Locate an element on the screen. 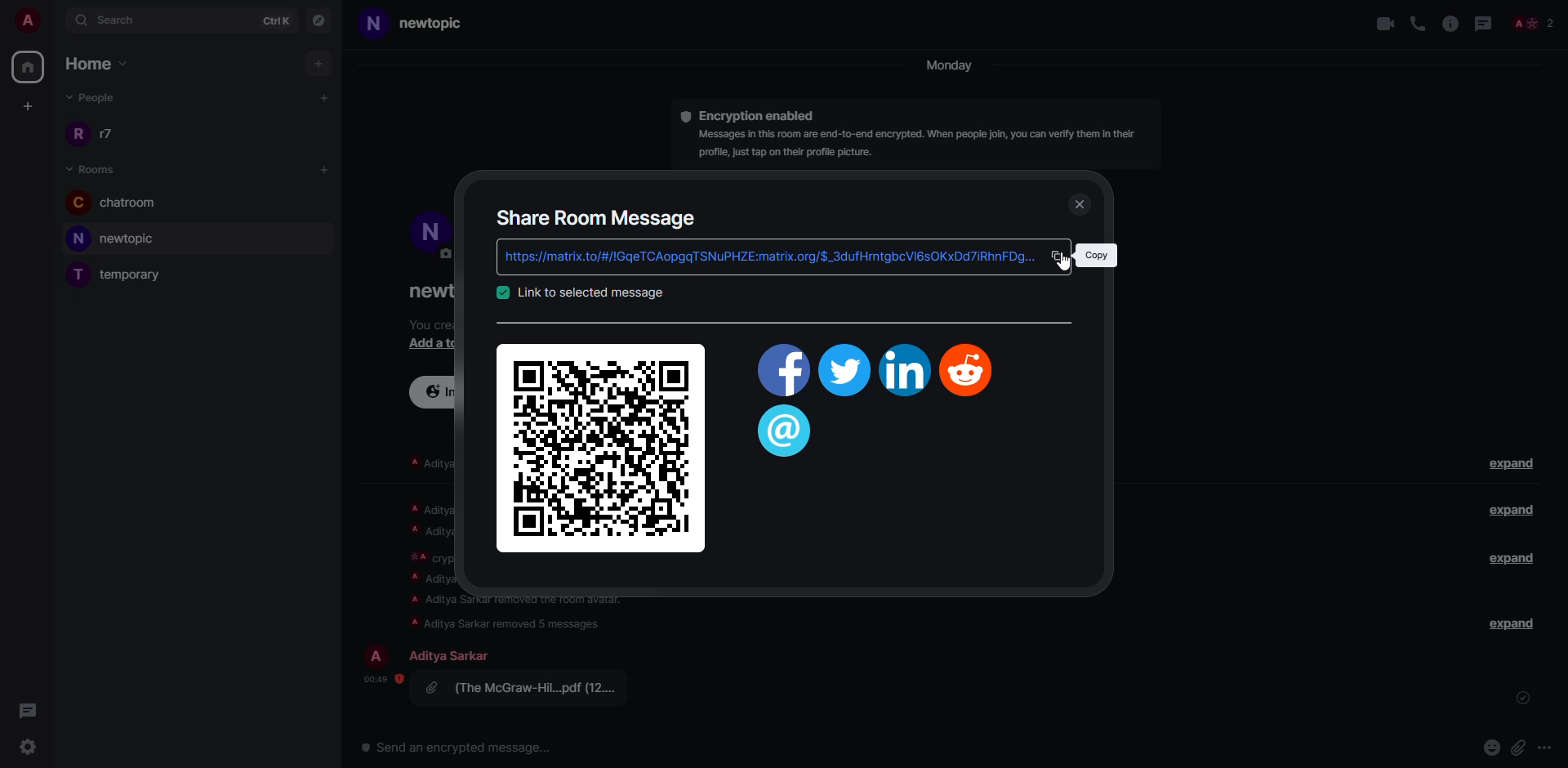 The width and height of the screenshot is (1568, 768). voice call is located at coordinates (1418, 23).